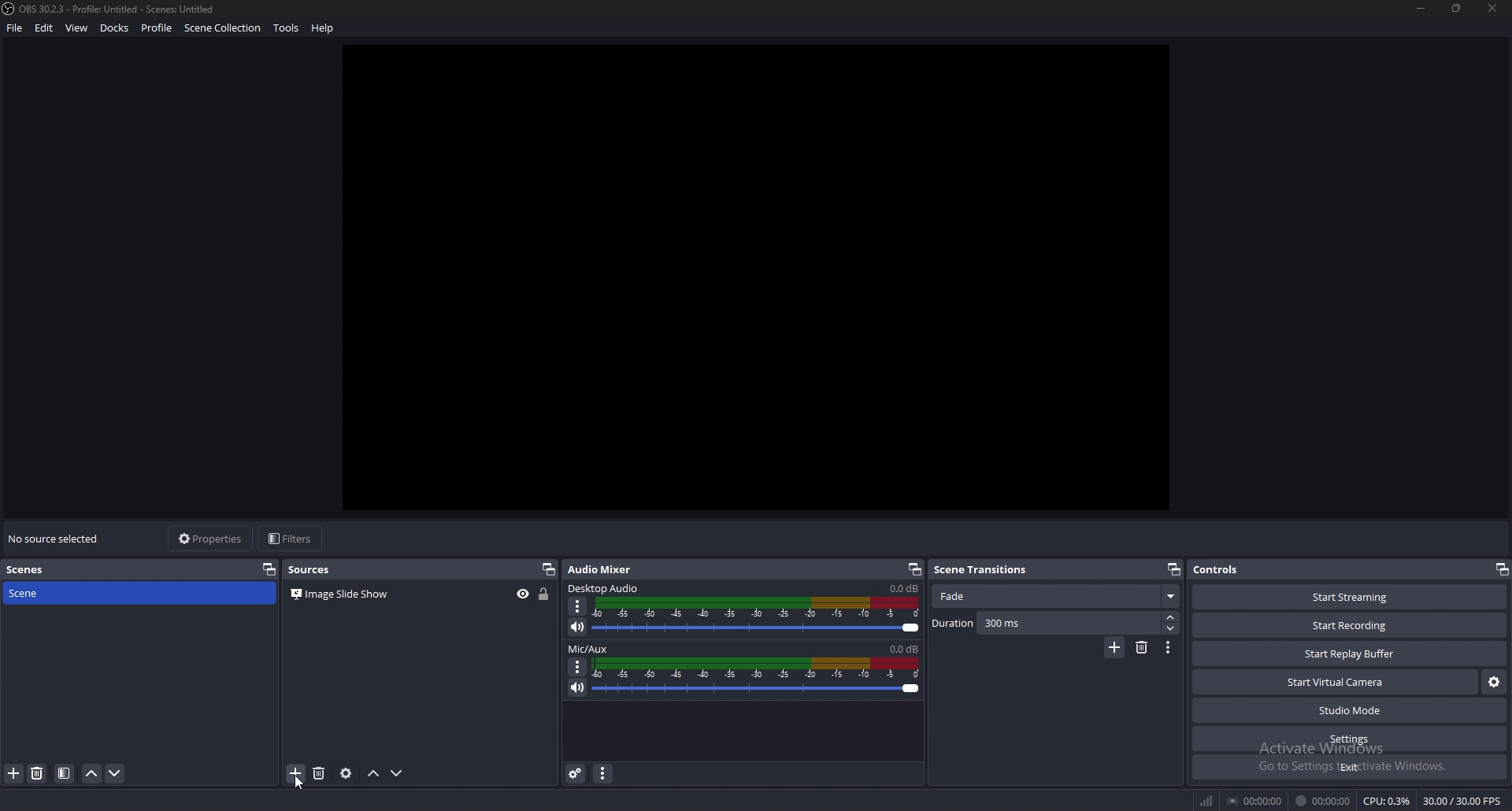 The width and height of the screenshot is (1512, 811). What do you see at coordinates (91, 774) in the screenshot?
I see `move scene up` at bounding box center [91, 774].